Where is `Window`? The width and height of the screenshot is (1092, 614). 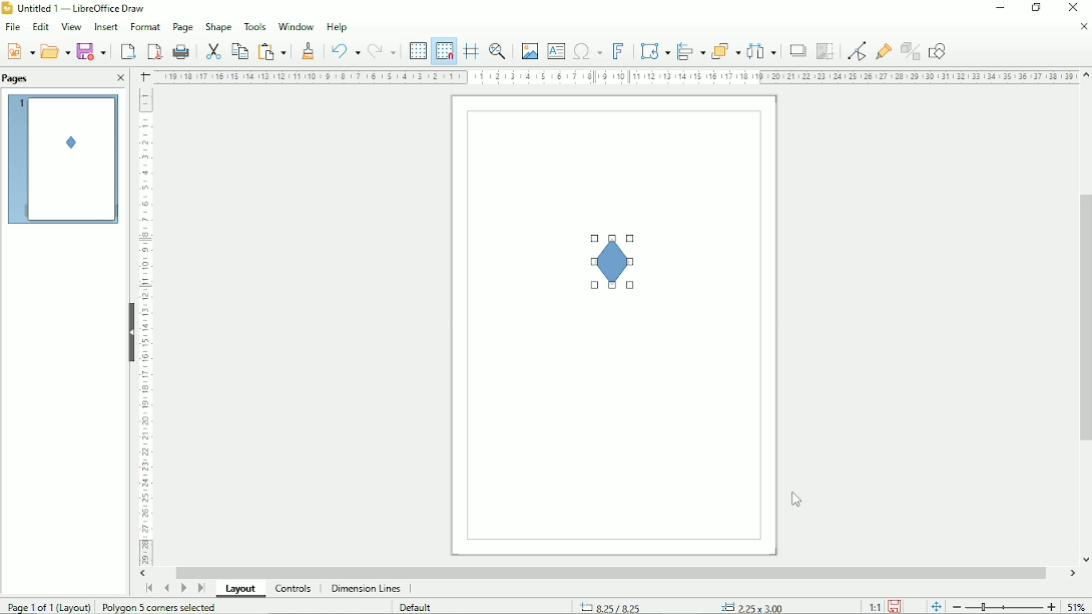
Window is located at coordinates (294, 25).